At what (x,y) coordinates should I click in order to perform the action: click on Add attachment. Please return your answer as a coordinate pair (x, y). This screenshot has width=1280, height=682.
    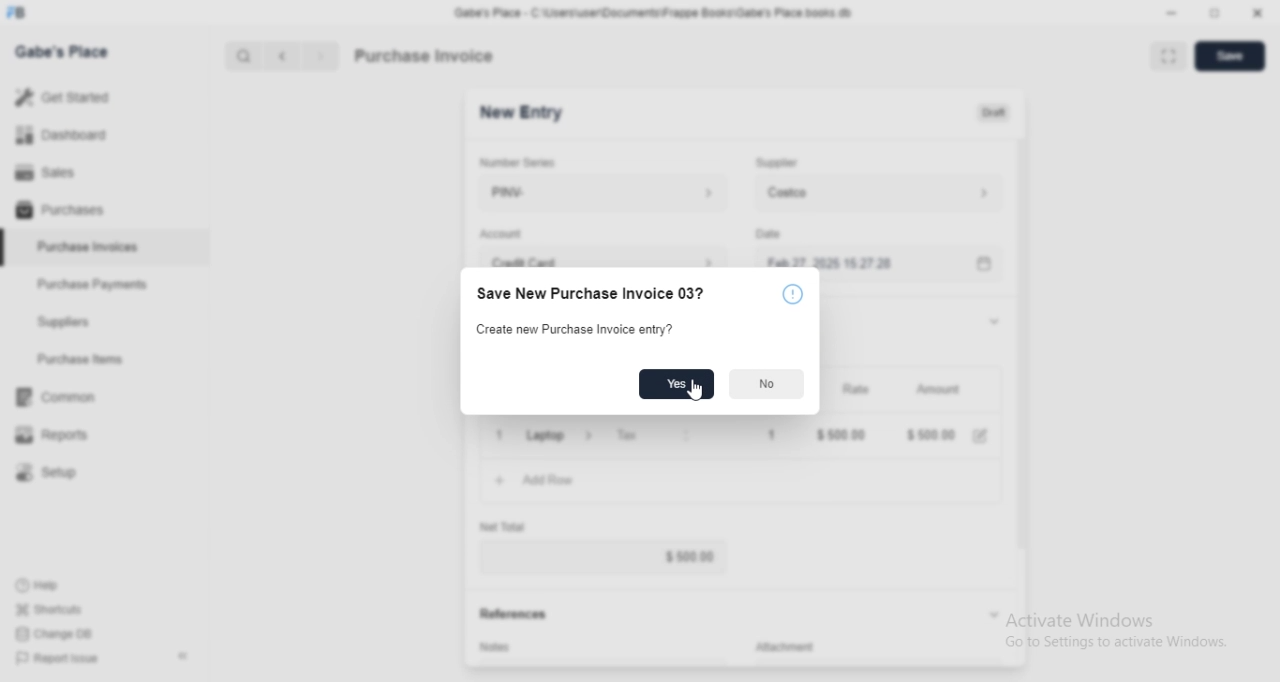
    Looking at the image, I should click on (879, 662).